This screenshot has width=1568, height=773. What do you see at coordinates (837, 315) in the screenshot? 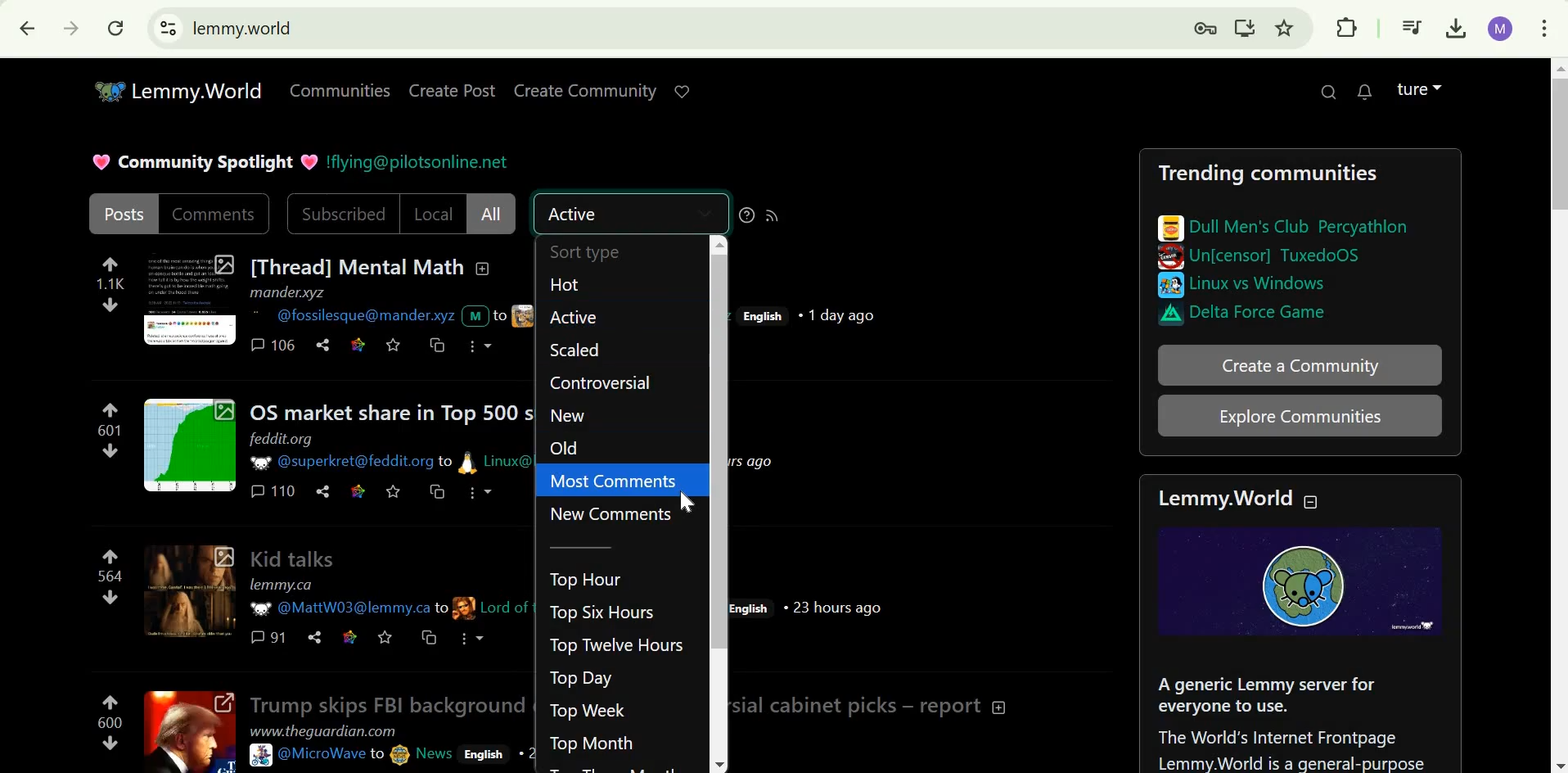
I see `1 day ago` at bounding box center [837, 315].